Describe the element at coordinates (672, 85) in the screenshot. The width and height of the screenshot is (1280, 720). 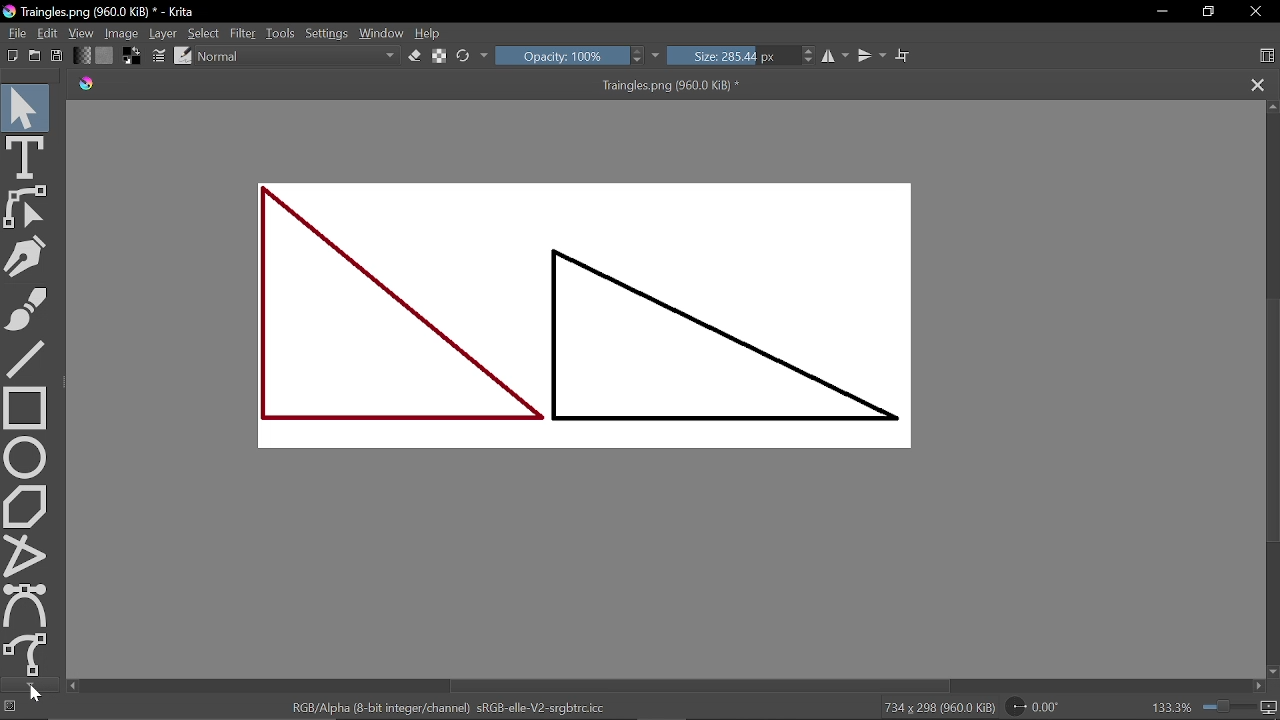
I see `Traingles.png (960.0 KiB) *` at that location.